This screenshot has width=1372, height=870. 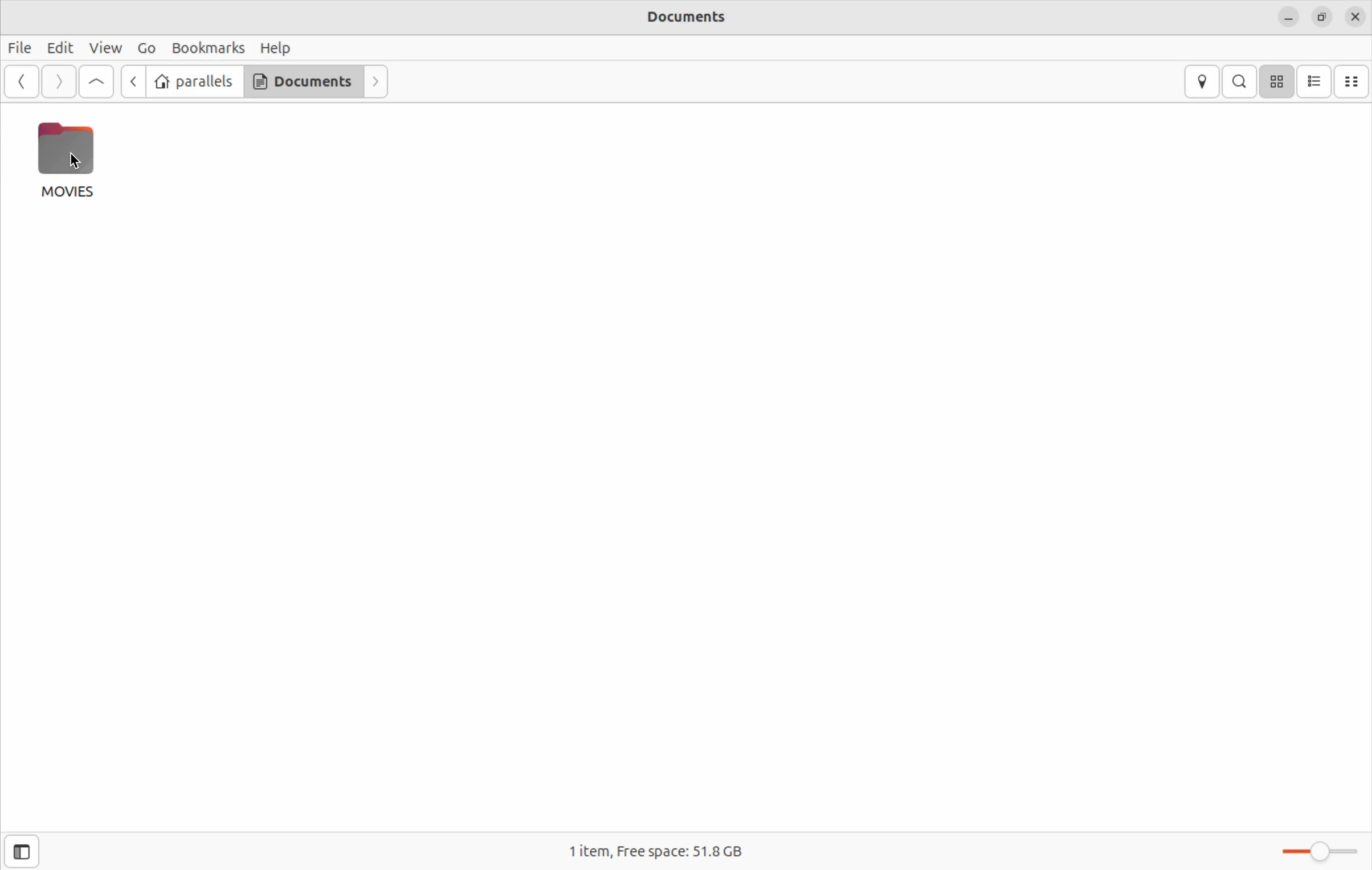 What do you see at coordinates (21, 851) in the screenshot?
I see `show side bar` at bounding box center [21, 851].